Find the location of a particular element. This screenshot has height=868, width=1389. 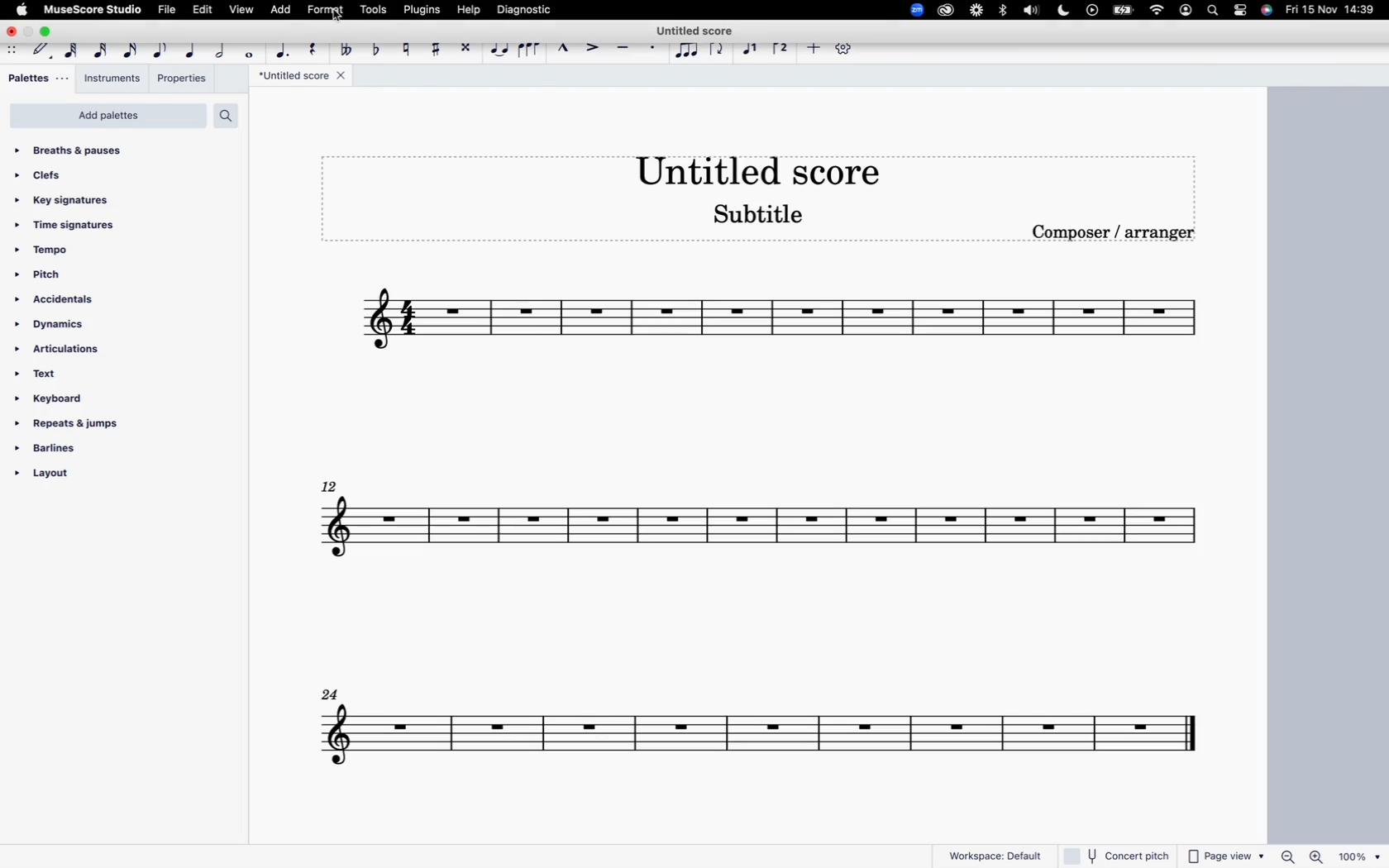

toggle flat is located at coordinates (376, 50).